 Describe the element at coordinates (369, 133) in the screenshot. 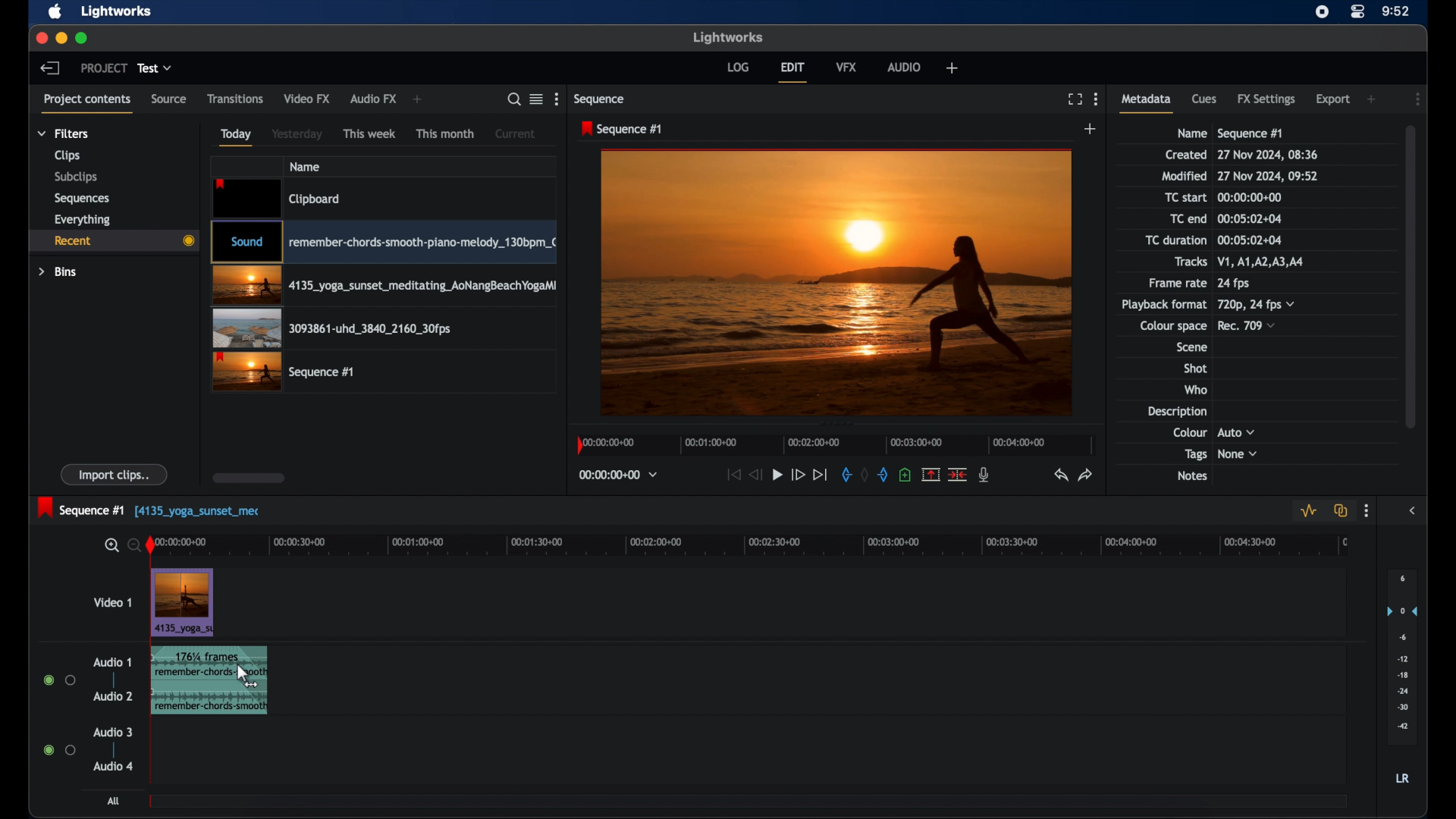

I see `this week` at that location.